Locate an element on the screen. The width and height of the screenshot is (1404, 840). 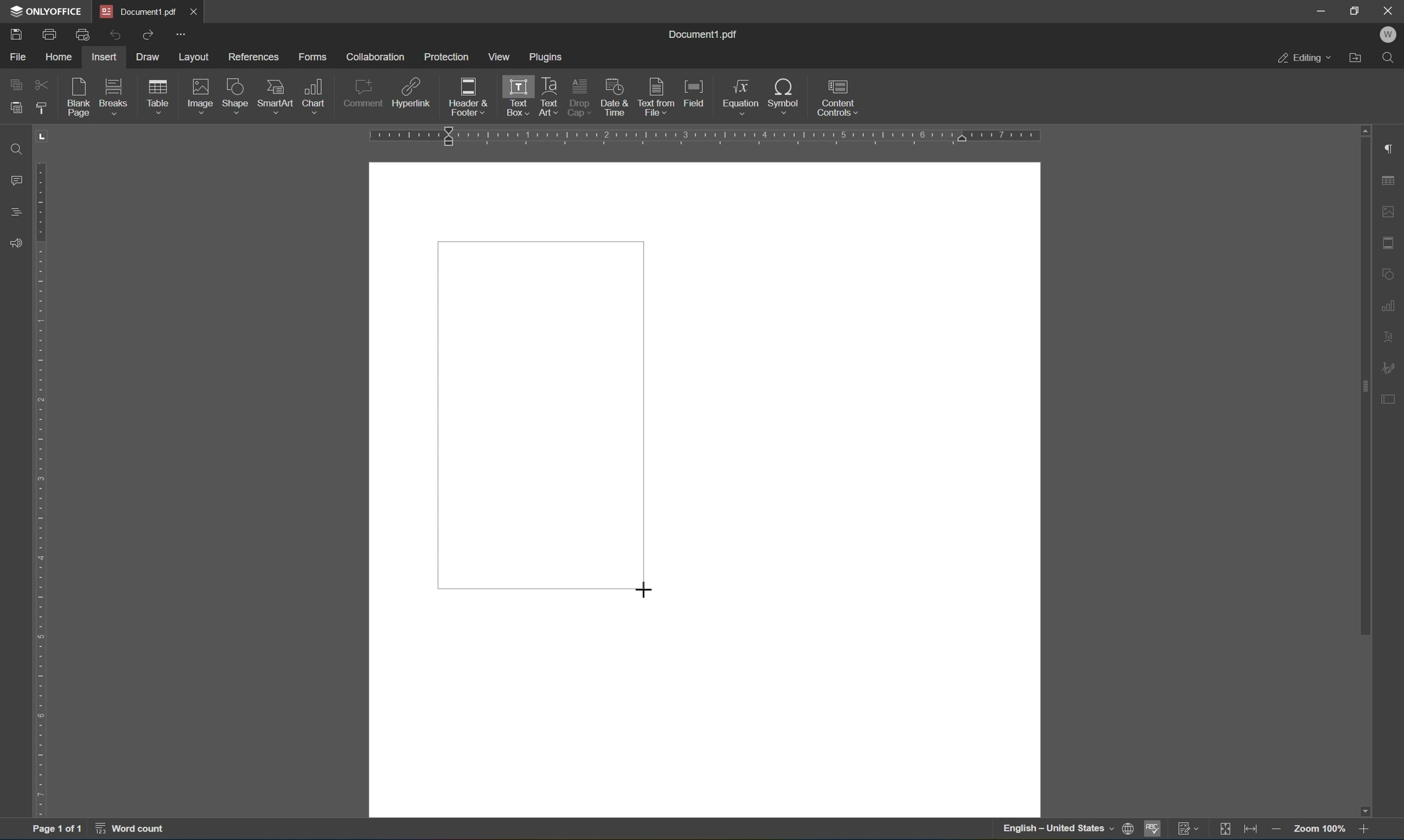
Find is located at coordinates (1388, 58).